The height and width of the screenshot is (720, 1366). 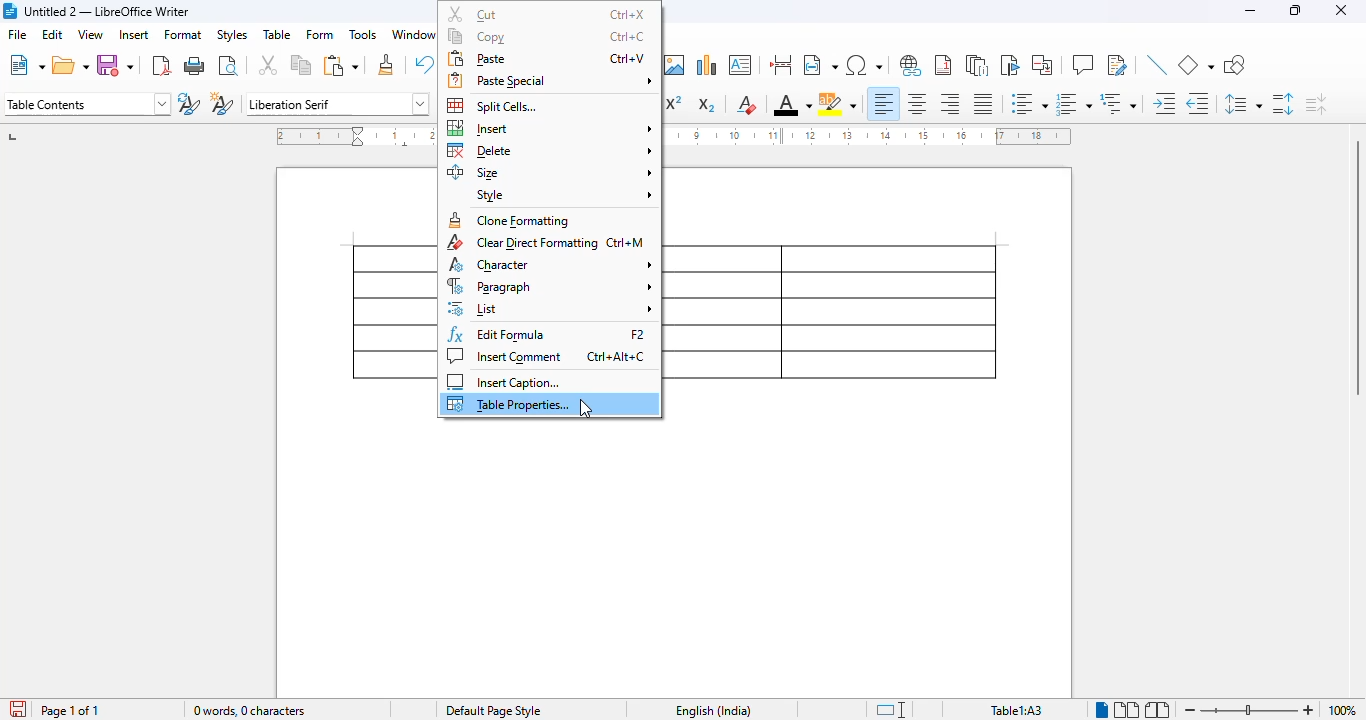 What do you see at coordinates (714, 710) in the screenshot?
I see `text language` at bounding box center [714, 710].